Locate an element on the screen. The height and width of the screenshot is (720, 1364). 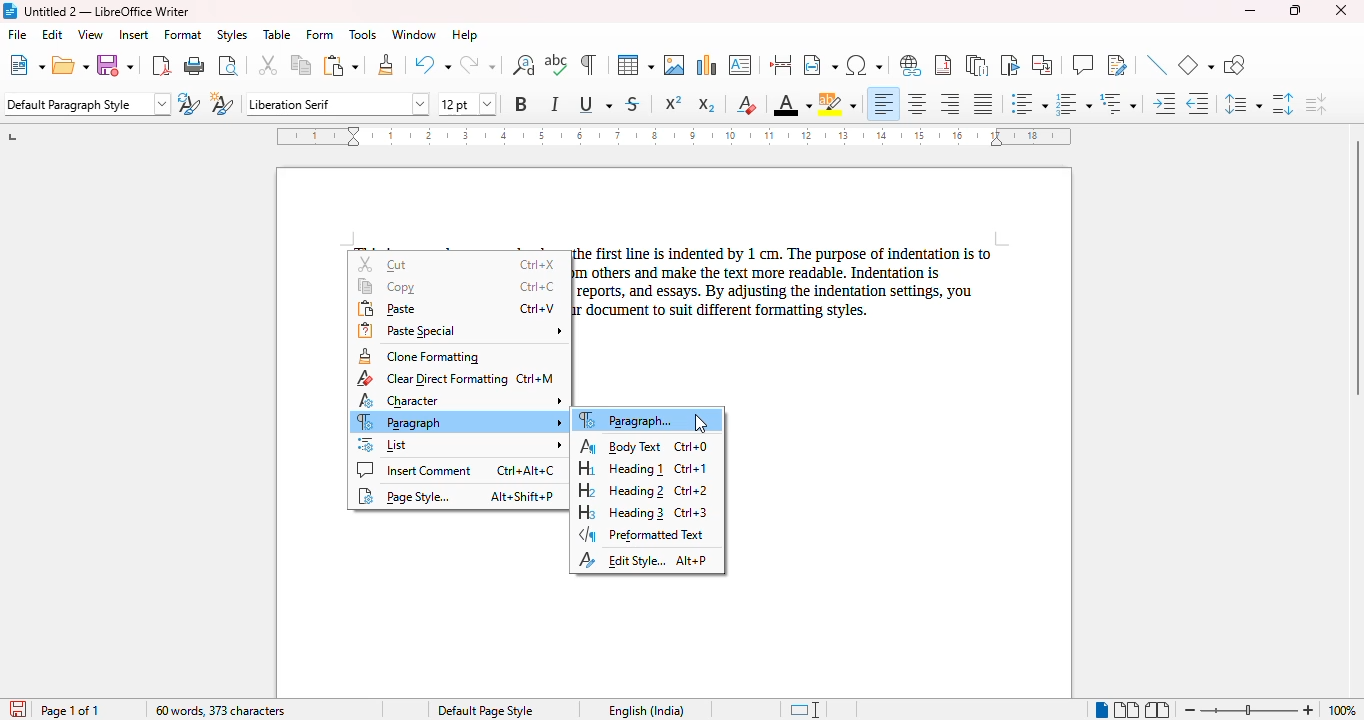
insert comment is located at coordinates (1082, 64).